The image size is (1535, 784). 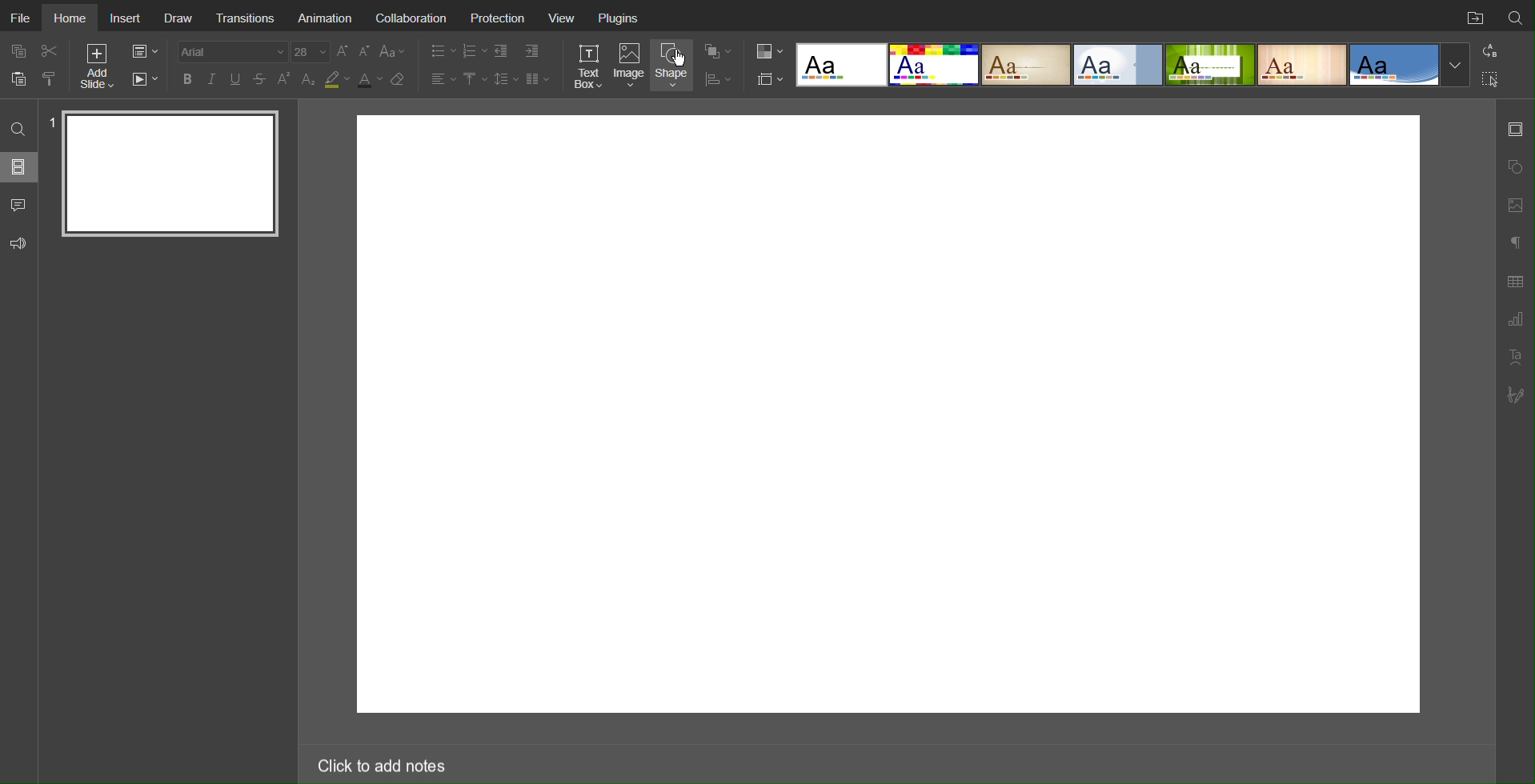 What do you see at coordinates (336, 80) in the screenshot?
I see `Highlight` at bounding box center [336, 80].